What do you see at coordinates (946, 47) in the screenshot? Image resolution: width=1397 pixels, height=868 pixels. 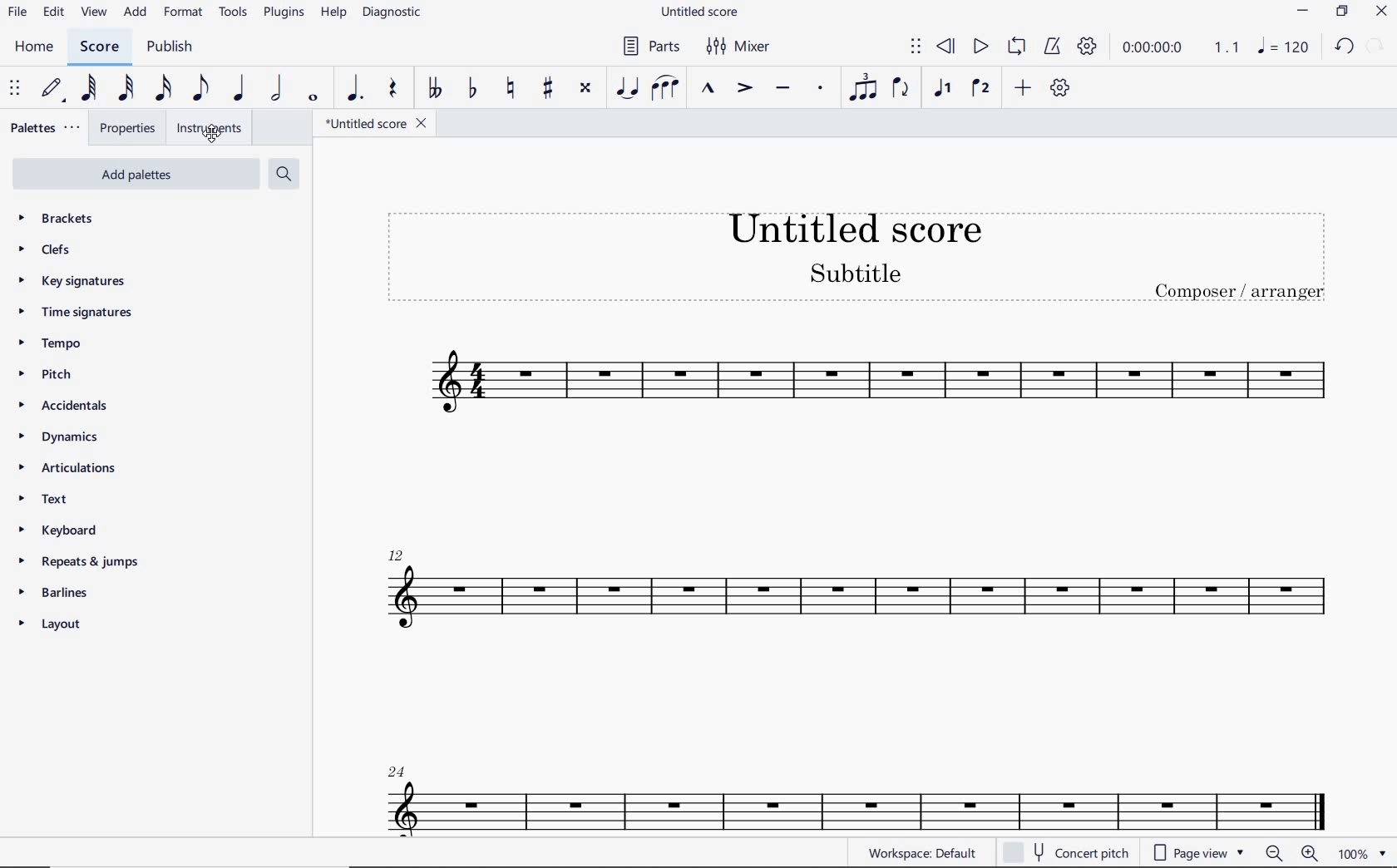 I see `REWIND` at bounding box center [946, 47].